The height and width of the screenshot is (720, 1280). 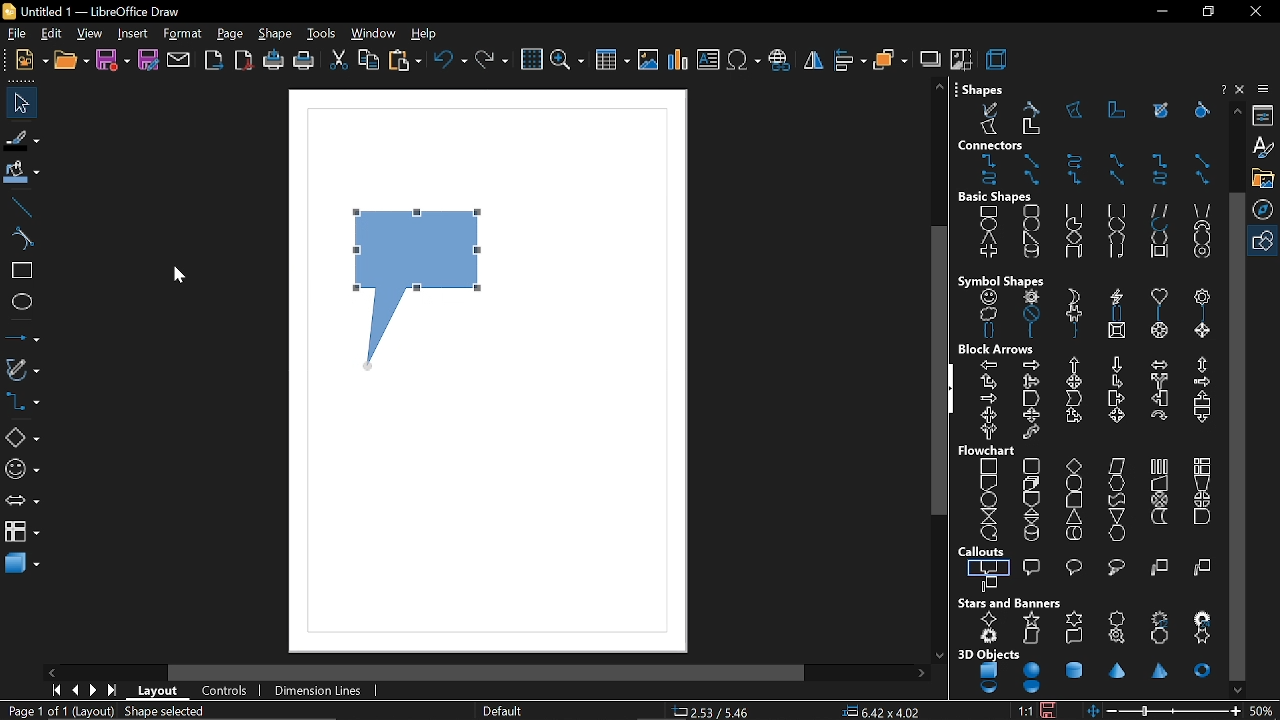 What do you see at coordinates (1156, 252) in the screenshot?
I see `frame` at bounding box center [1156, 252].